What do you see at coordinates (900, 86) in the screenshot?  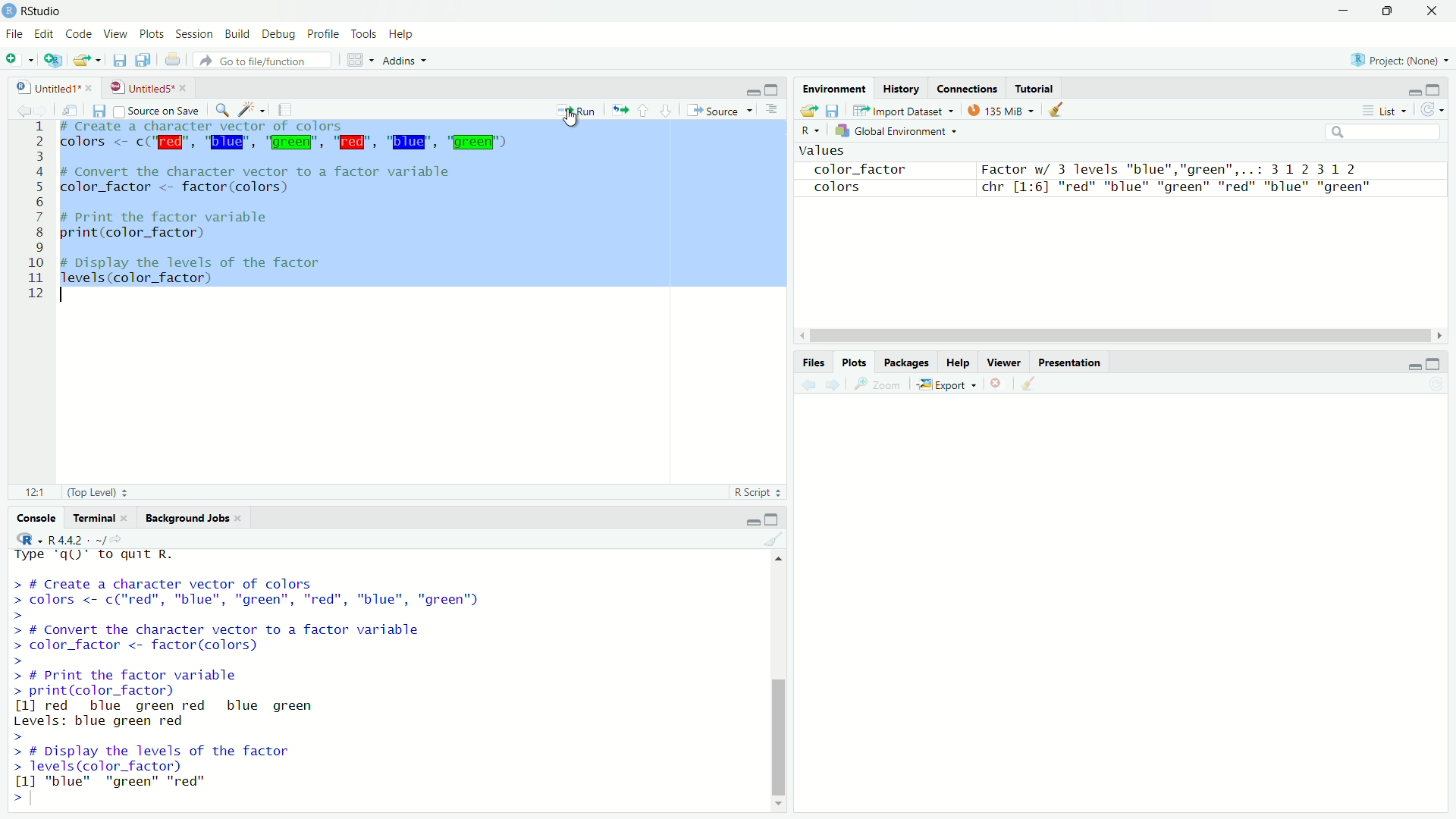 I see `History` at bounding box center [900, 86].